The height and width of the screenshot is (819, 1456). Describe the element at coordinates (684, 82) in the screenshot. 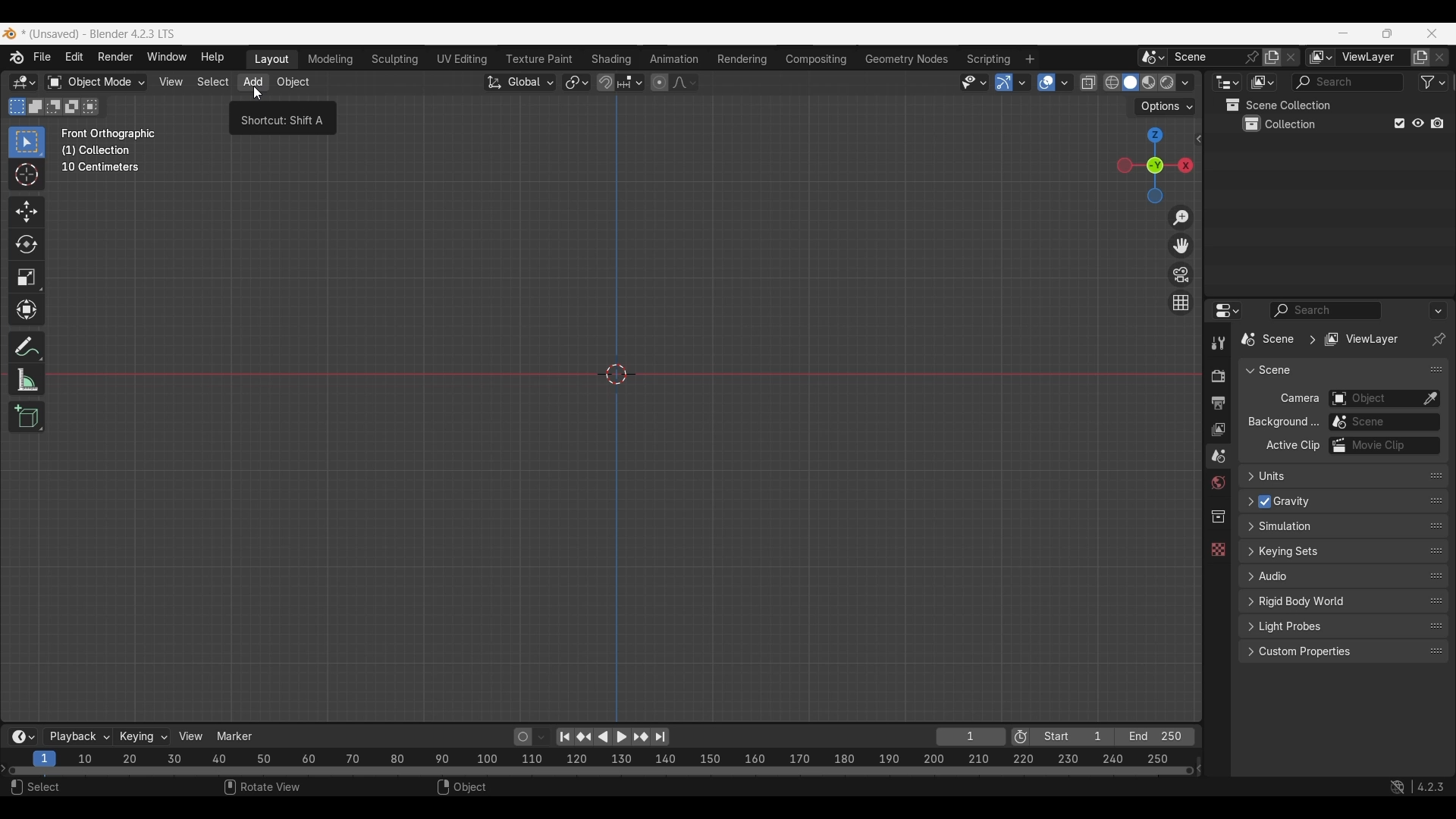

I see `Proportional editing falloff` at that location.